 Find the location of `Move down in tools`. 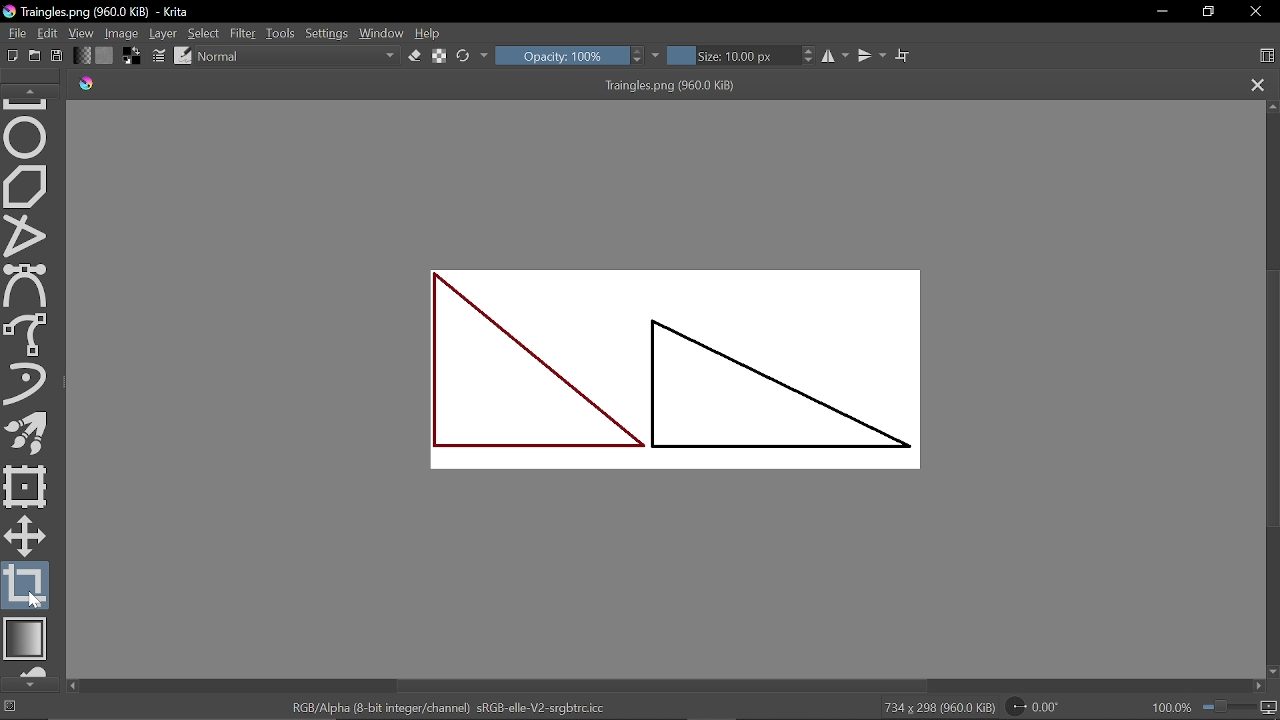

Move down in tools is located at coordinates (29, 685).